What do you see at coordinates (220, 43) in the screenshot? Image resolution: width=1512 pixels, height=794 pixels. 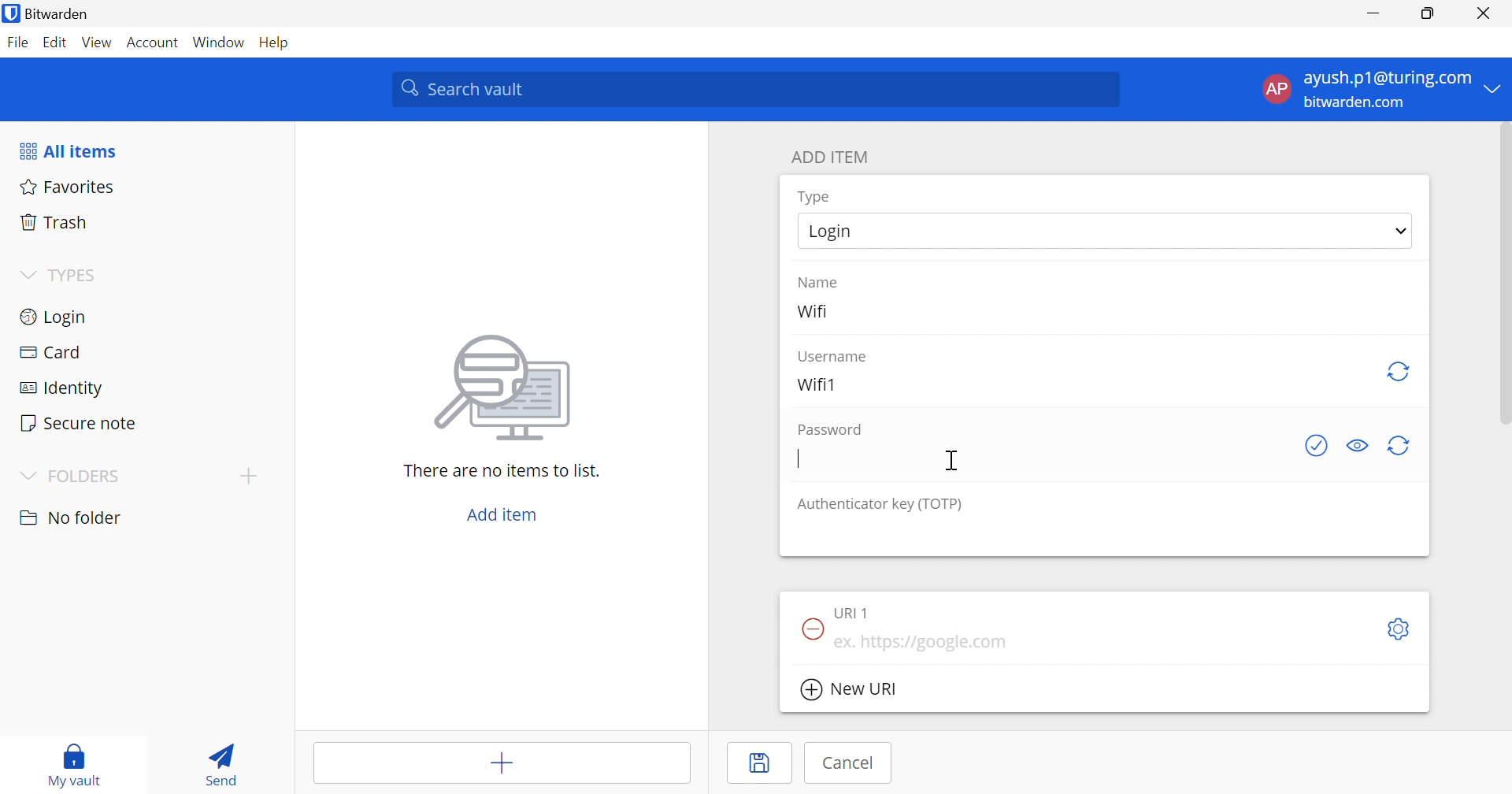 I see `Window` at bounding box center [220, 43].